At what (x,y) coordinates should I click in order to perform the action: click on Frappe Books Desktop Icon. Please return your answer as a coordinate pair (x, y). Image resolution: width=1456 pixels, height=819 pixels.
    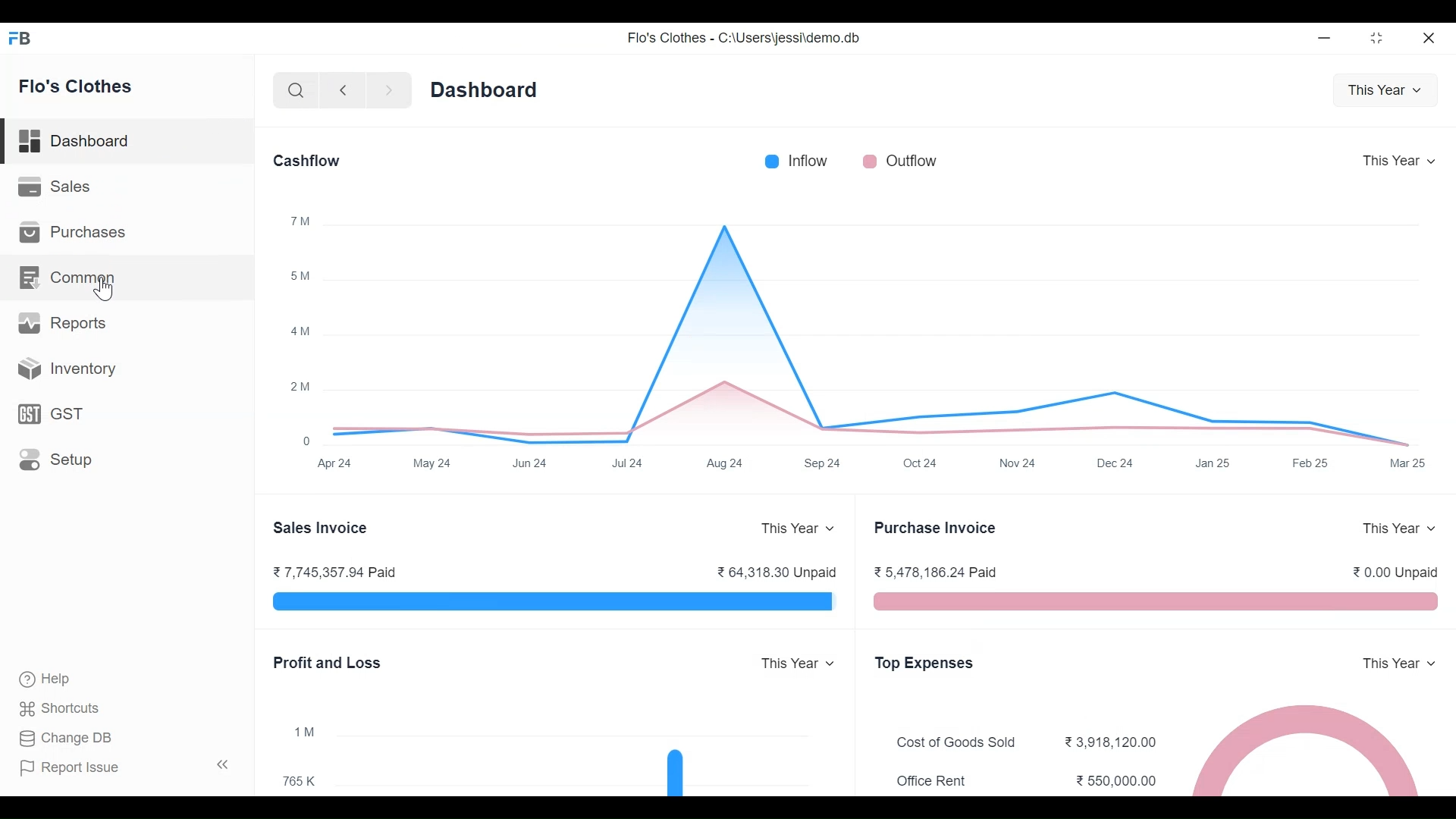
    Looking at the image, I should click on (20, 39).